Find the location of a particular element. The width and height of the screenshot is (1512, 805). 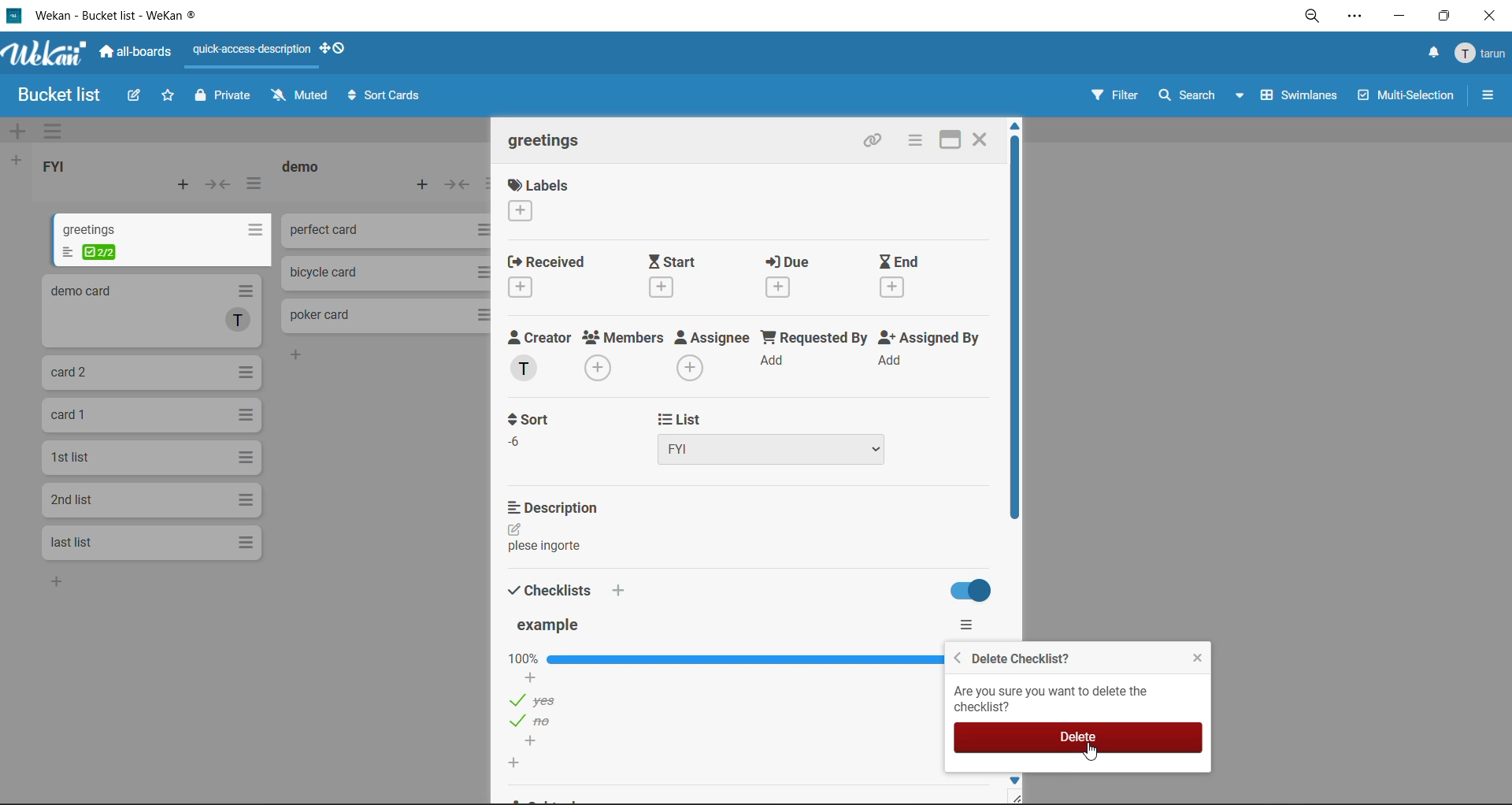

zoom is located at coordinates (1311, 18).